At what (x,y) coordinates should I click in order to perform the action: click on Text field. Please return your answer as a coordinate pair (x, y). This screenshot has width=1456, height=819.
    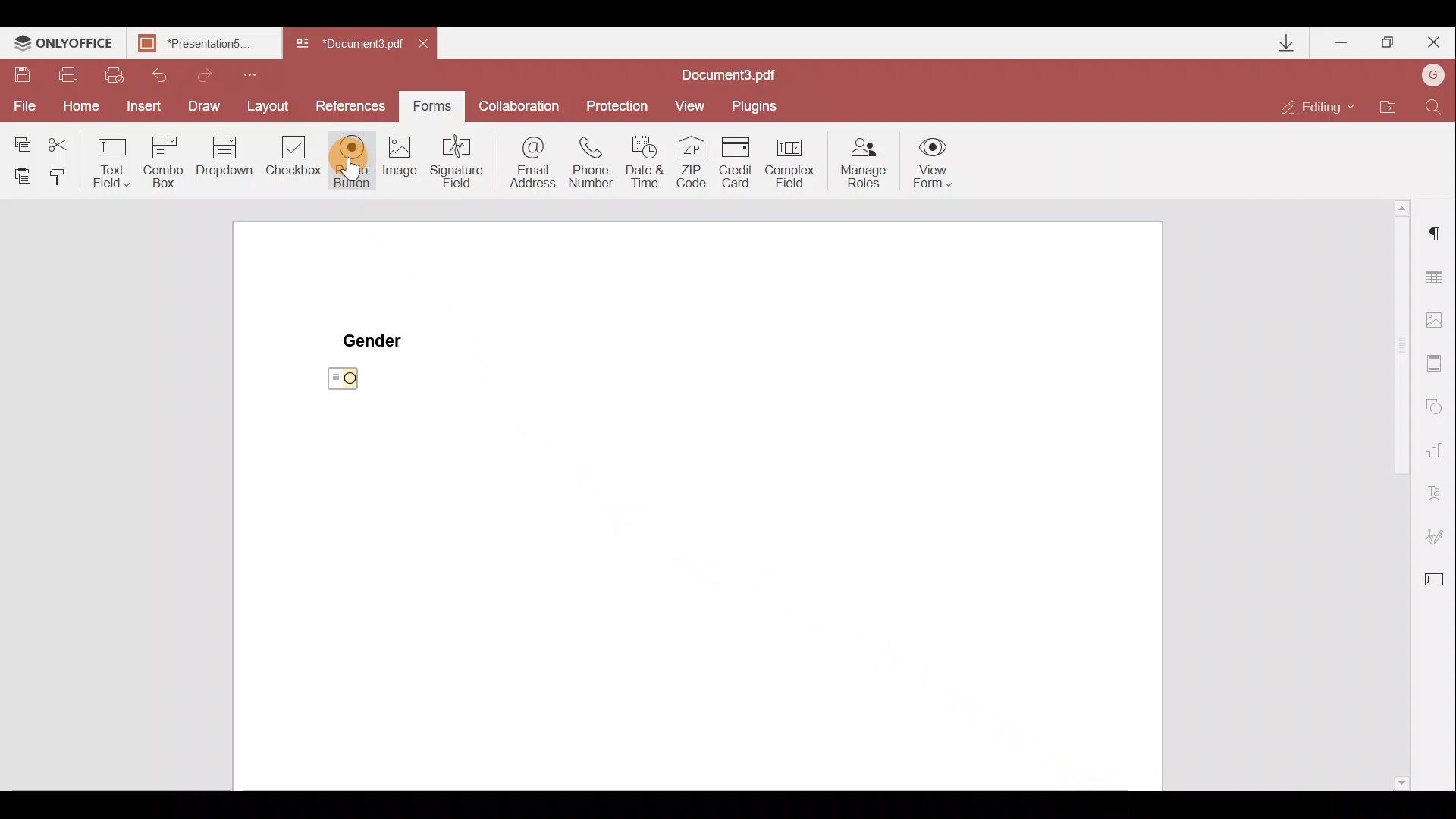
    Looking at the image, I should click on (109, 160).